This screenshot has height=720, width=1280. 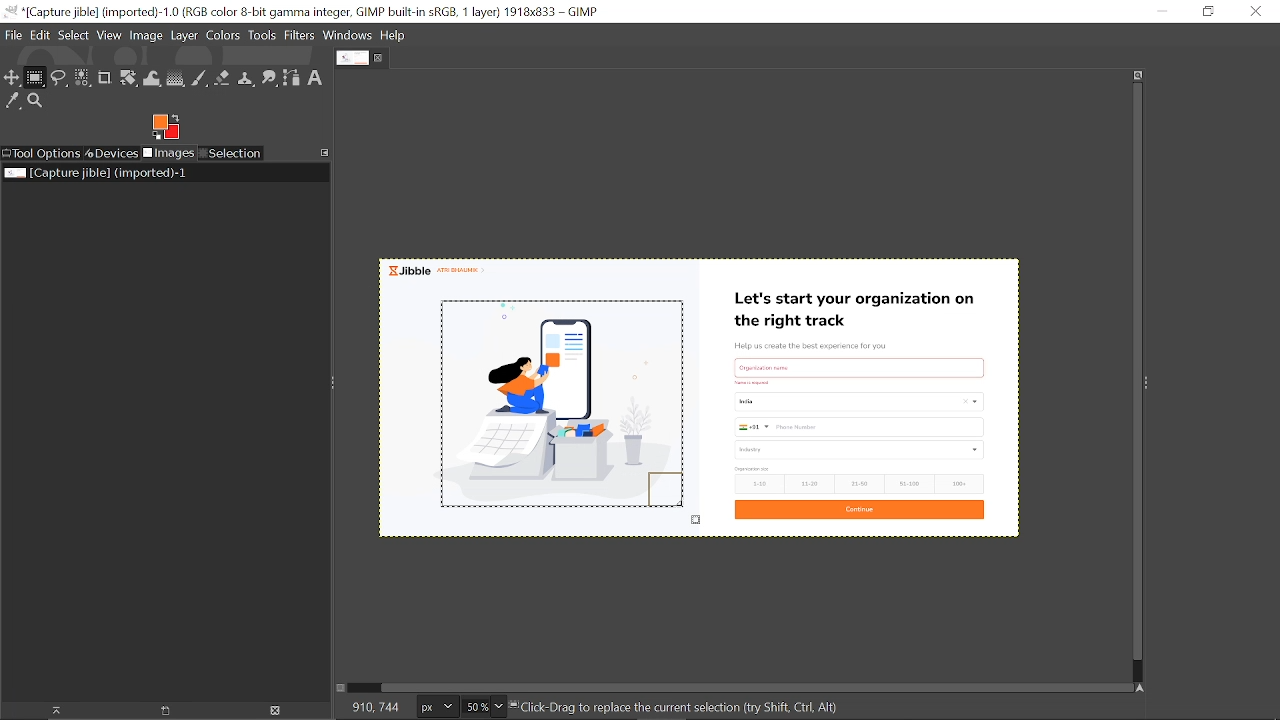 I want to click on Current window, so click(x=309, y=12).